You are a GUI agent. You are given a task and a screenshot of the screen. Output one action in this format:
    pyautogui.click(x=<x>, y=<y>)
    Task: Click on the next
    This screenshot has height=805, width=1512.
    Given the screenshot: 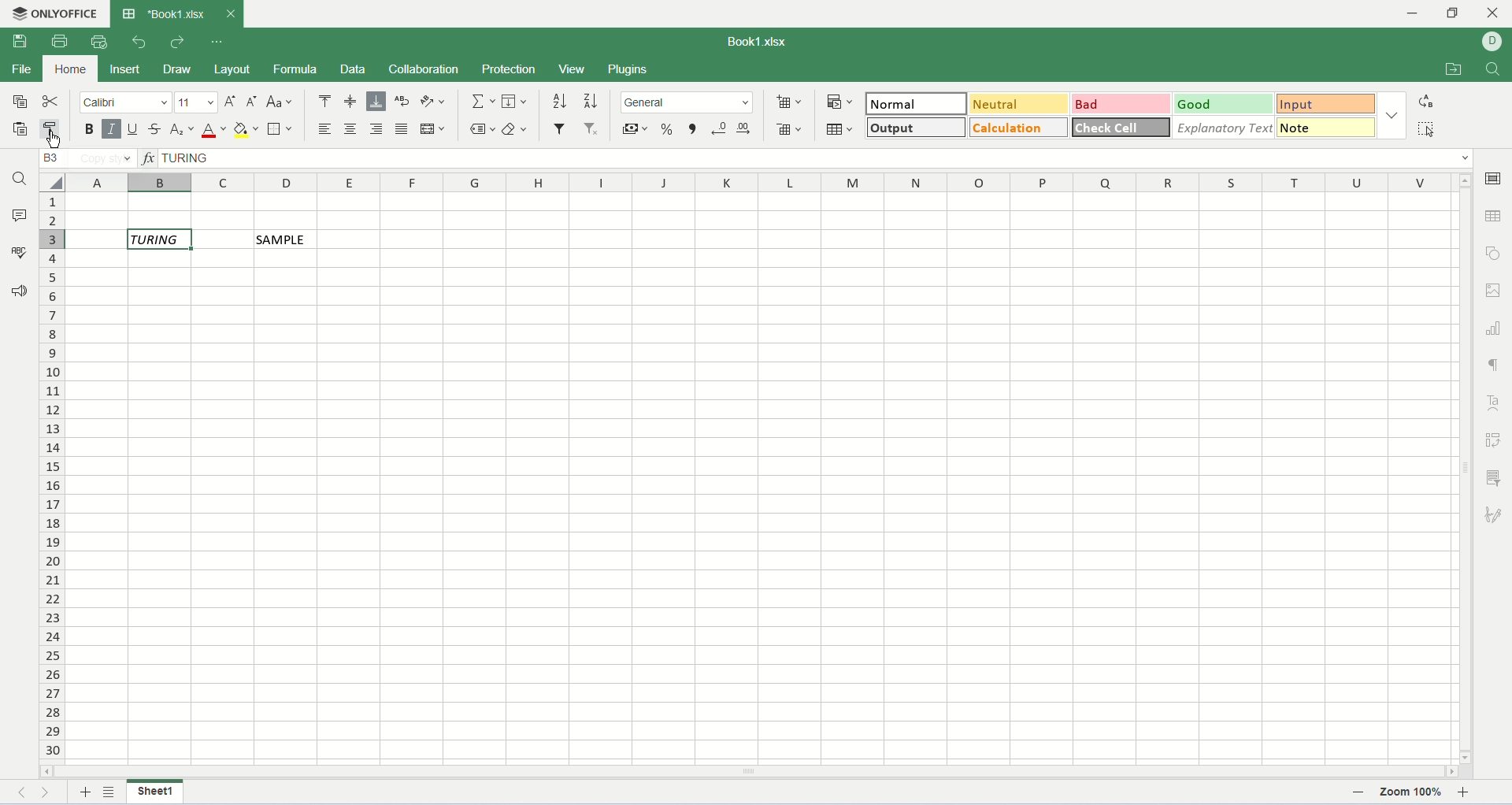 What is the action you would take?
    pyautogui.click(x=50, y=795)
    